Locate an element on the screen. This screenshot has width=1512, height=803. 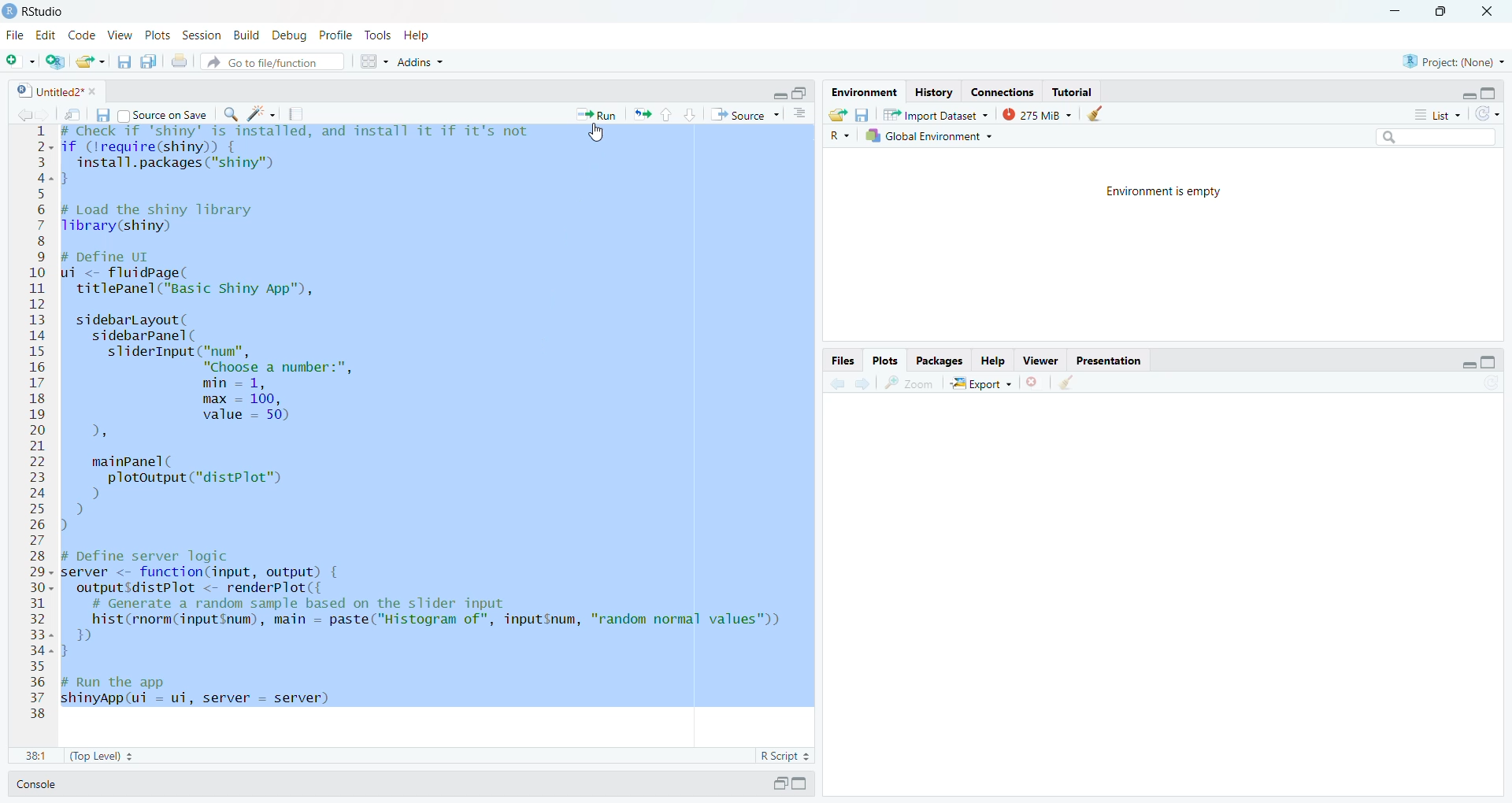
new project is located at coordinates (55, 61).